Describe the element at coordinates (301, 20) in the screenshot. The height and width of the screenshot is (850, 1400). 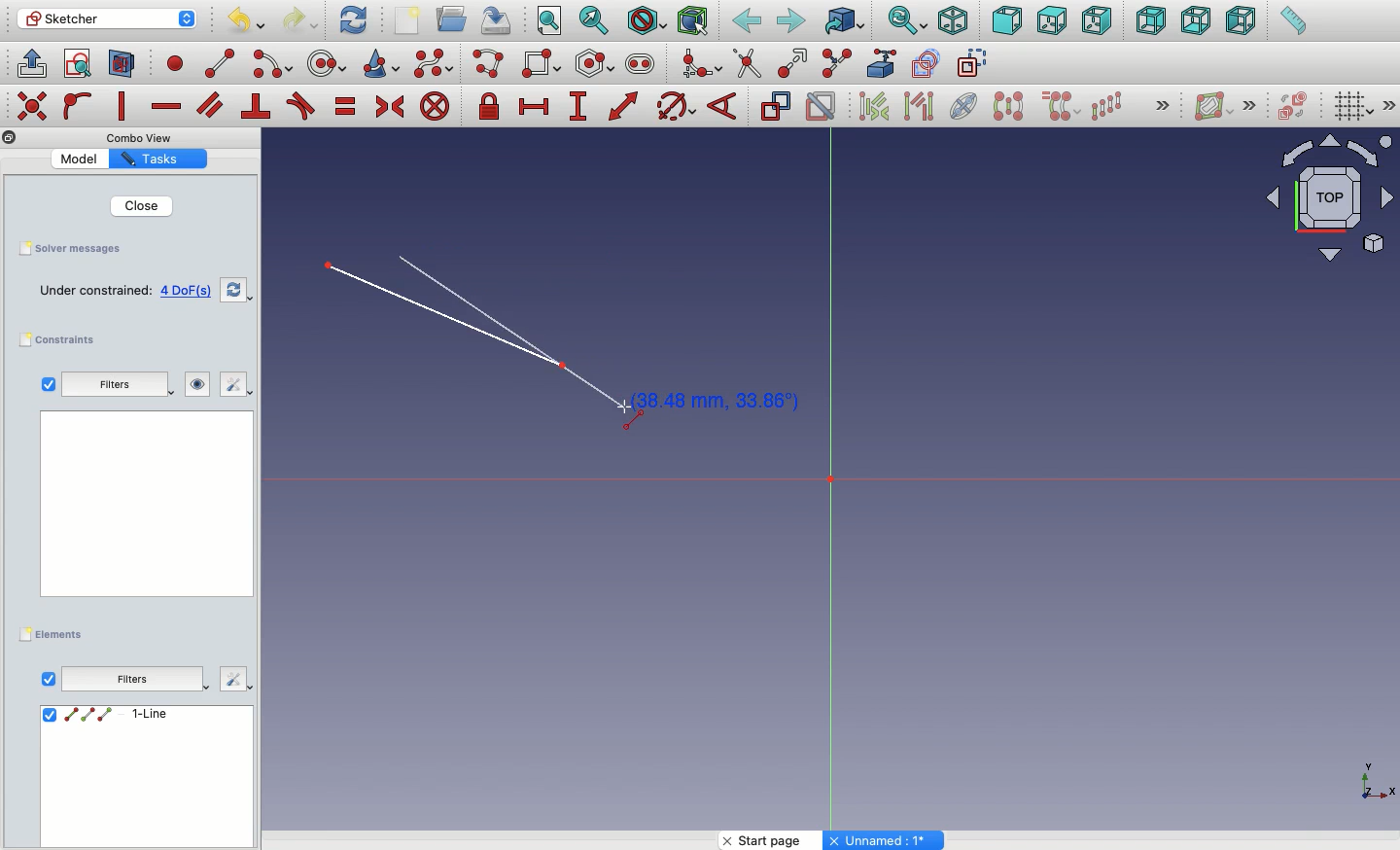
I see `Redo` at that location.